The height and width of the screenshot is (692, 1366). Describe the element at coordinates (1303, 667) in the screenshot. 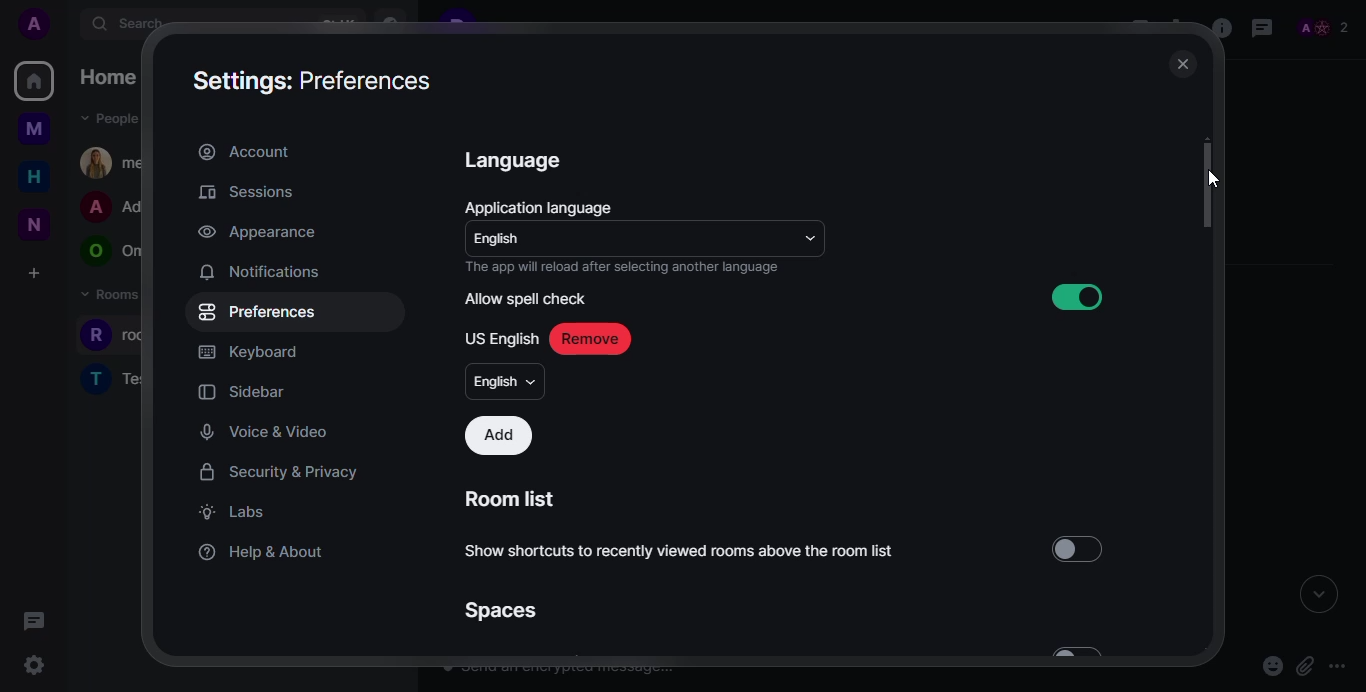

I see `attach` at that location.